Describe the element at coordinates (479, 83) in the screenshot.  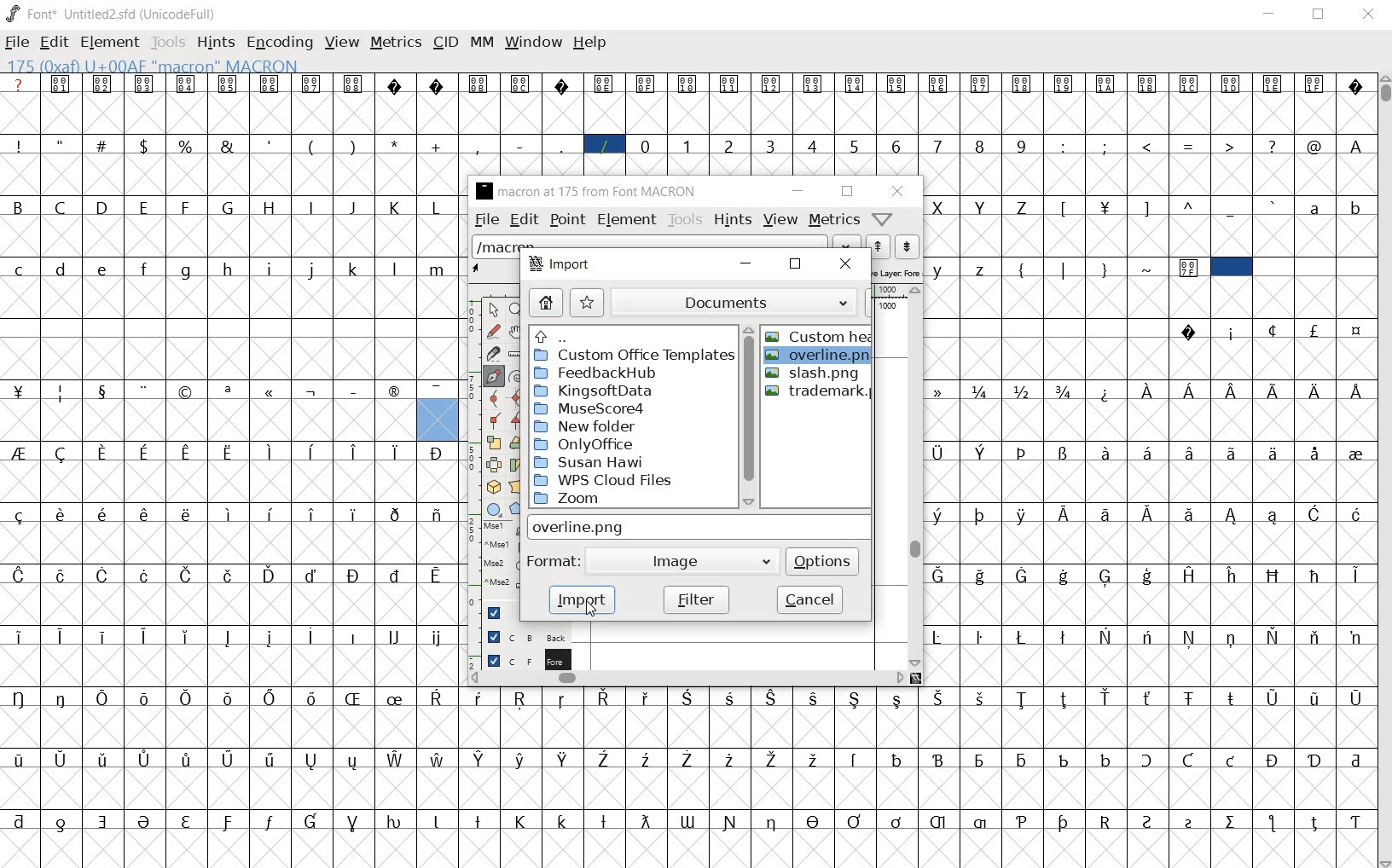
I see `Symbol` at that location.